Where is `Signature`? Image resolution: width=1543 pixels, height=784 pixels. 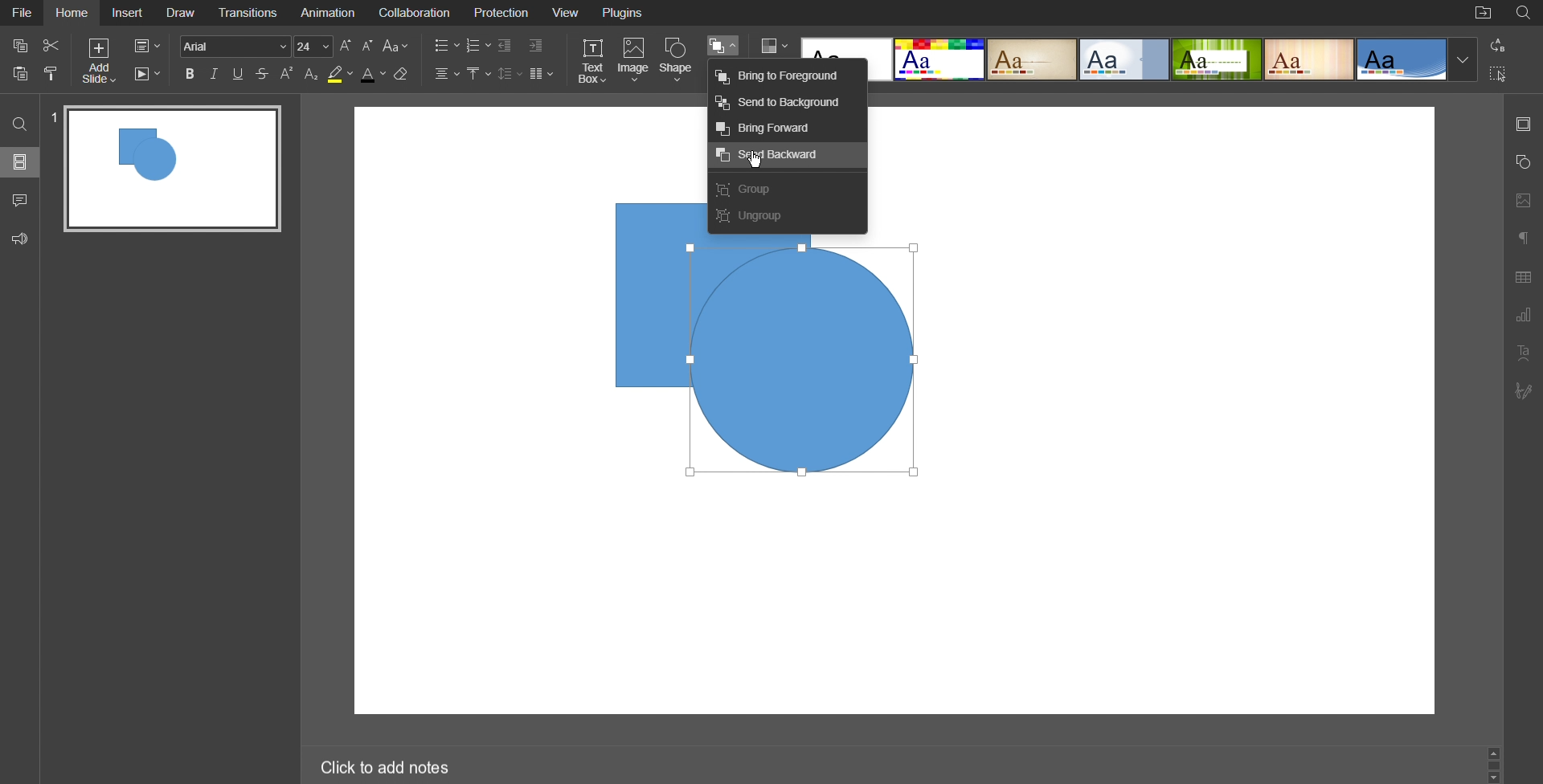 Signature is located at coordinates (1522, 390).